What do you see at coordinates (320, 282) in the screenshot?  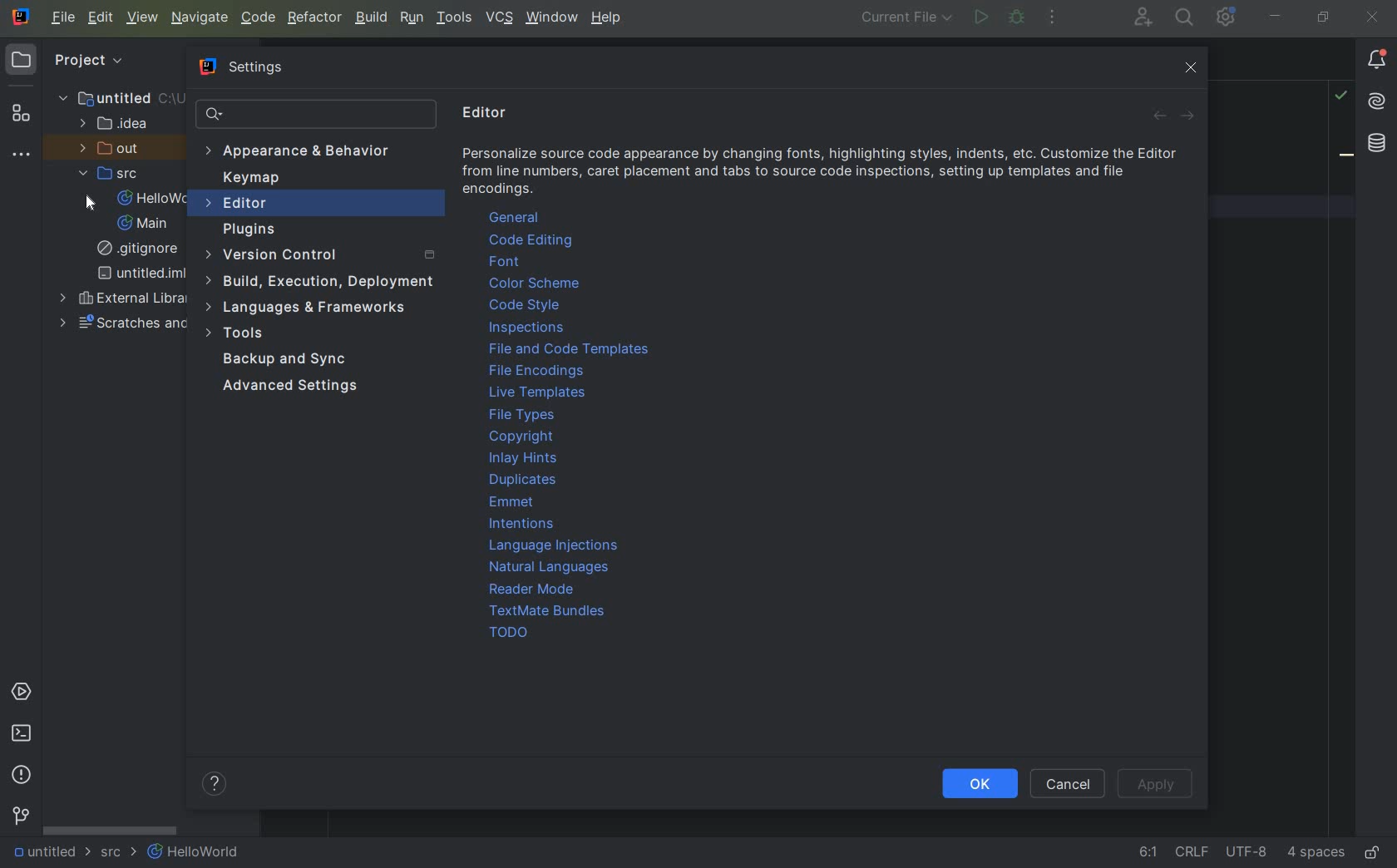 I see `build, execution, deployment` at bounding box center [320, 282].